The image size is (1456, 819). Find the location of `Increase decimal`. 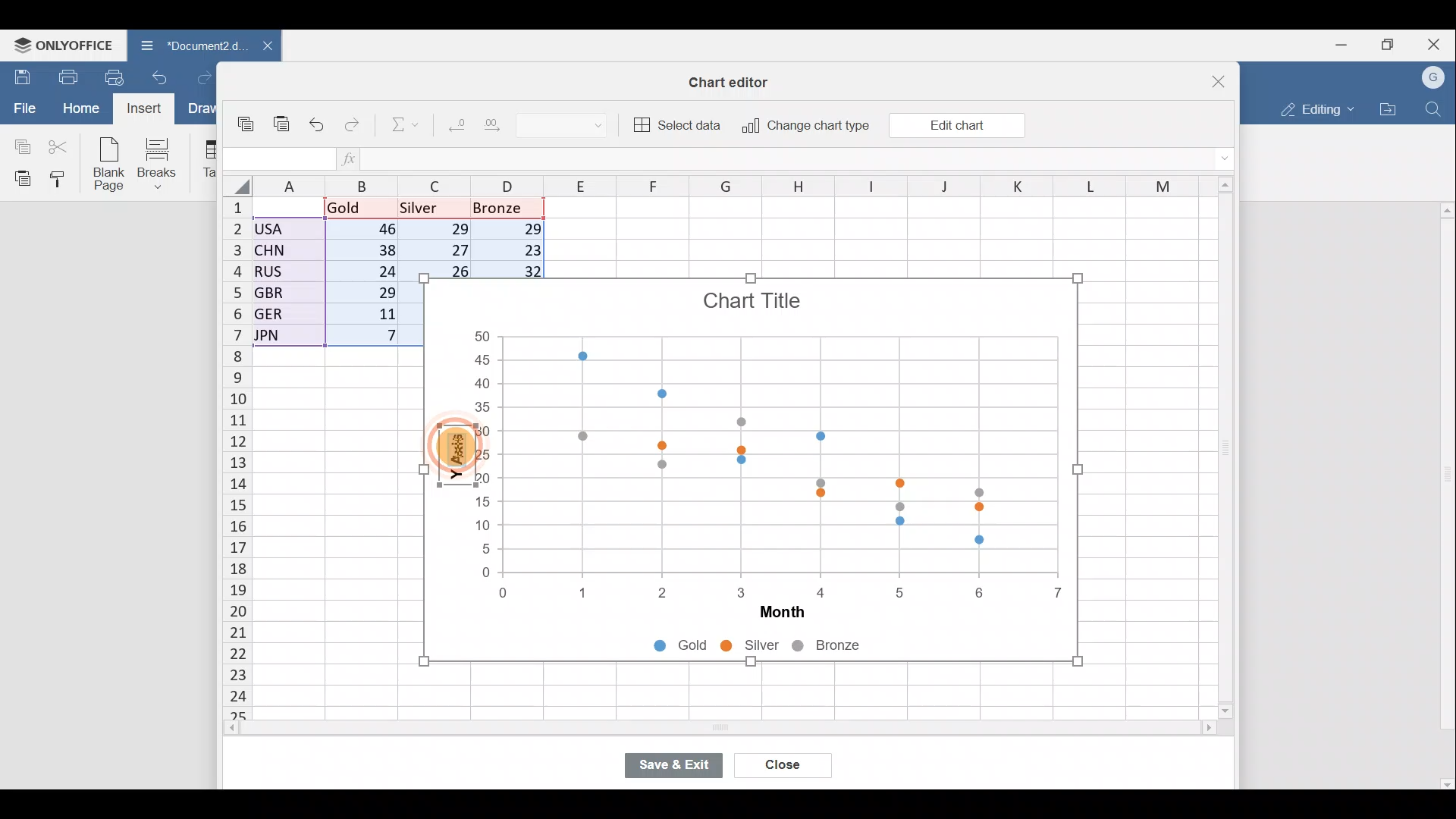

Increase decimal is located at coordinates (500, 129).